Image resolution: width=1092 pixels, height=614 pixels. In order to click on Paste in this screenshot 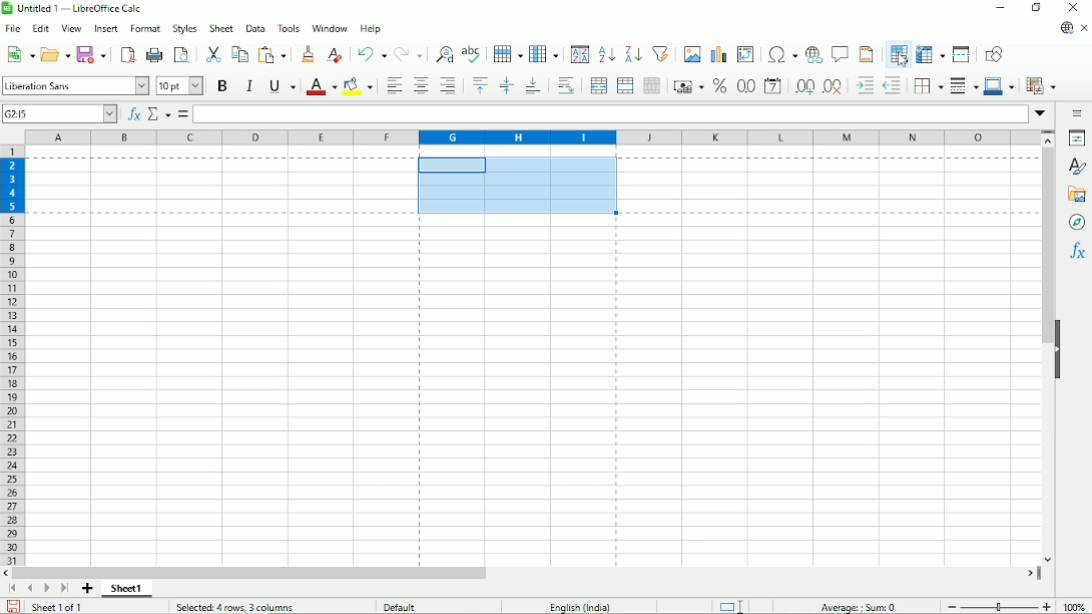, I will do `click(273, 54)`.